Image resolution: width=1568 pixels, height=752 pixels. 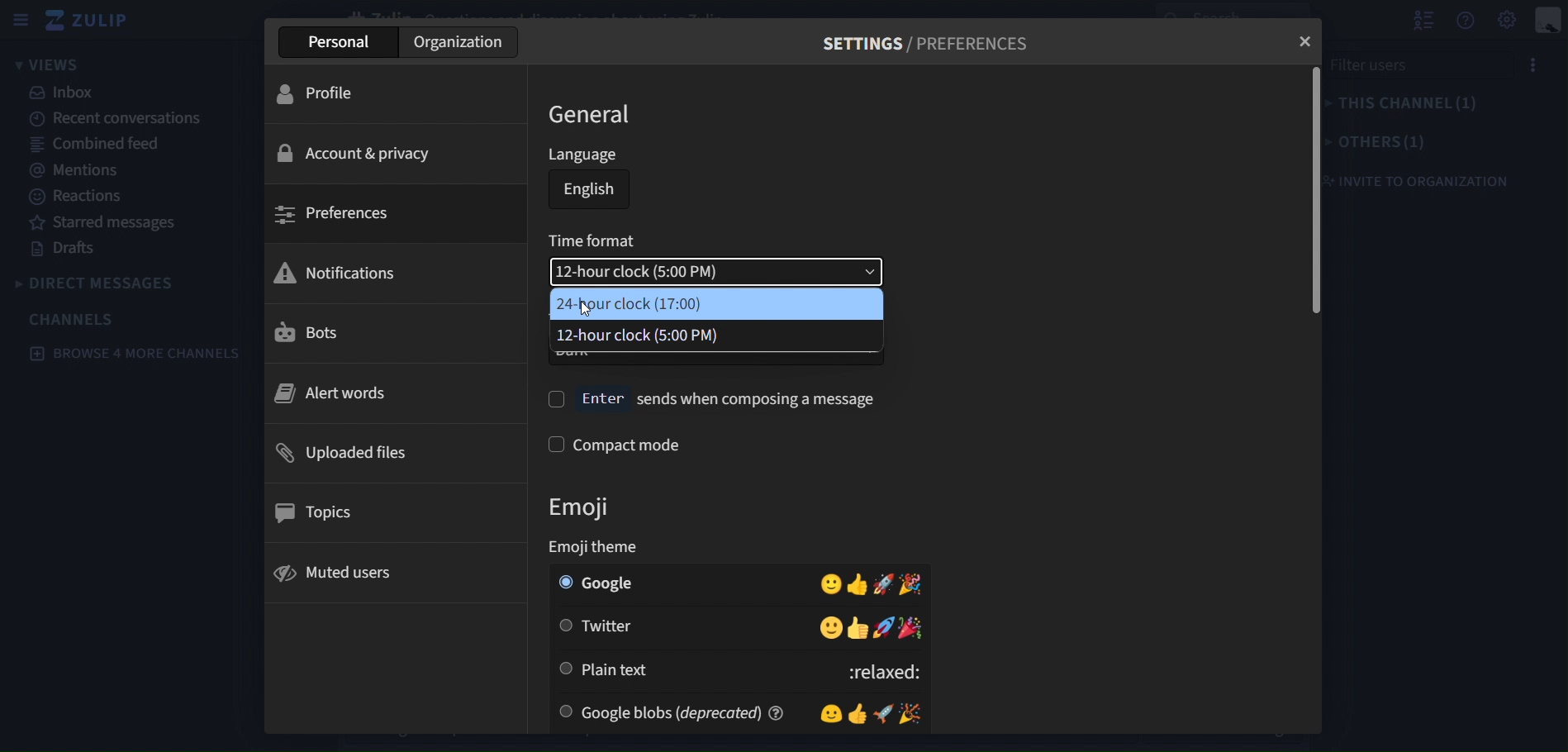 I want to click on direct messages, so click(x=98, y=286).